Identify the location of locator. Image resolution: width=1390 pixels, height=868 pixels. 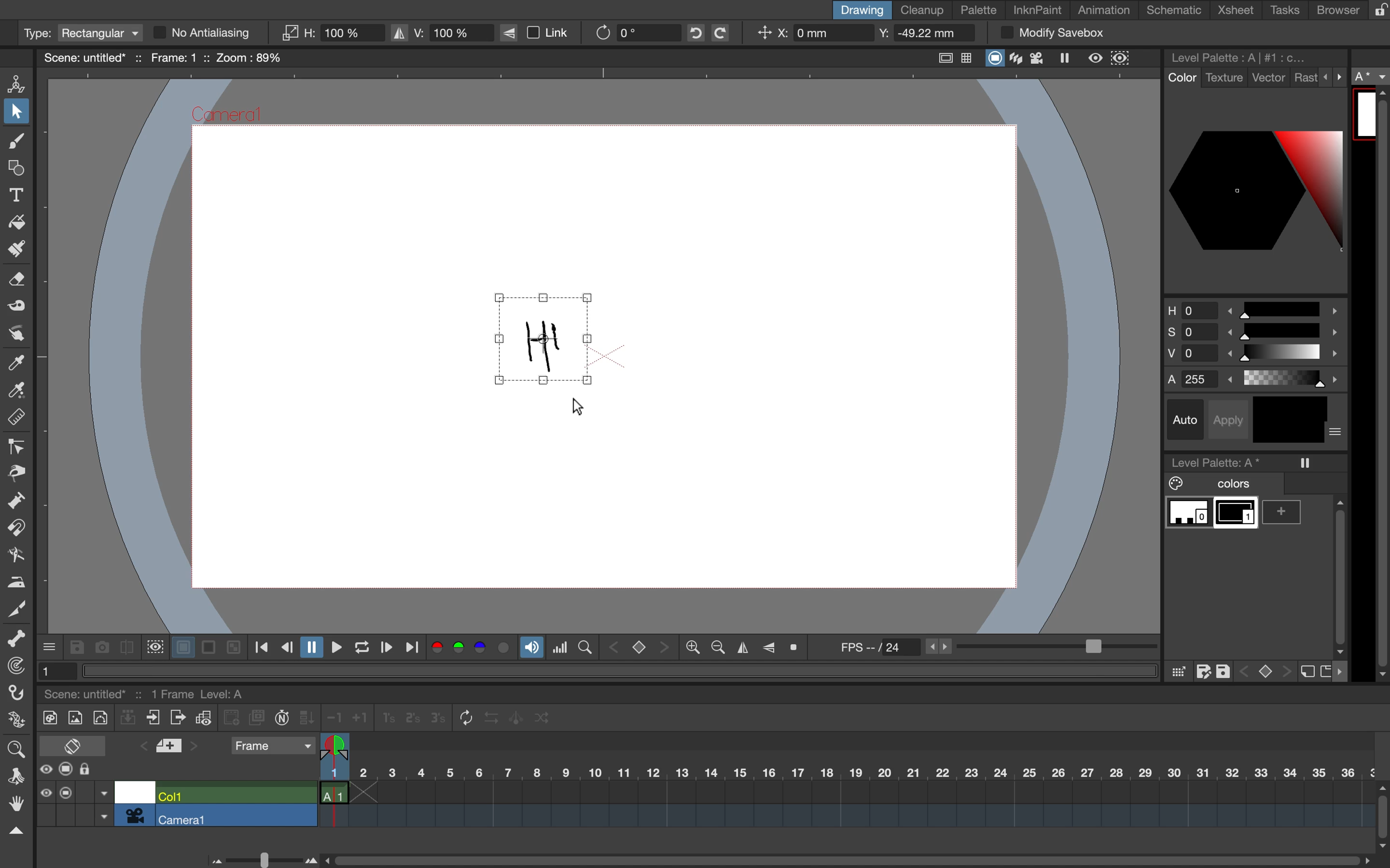
(585, 646).